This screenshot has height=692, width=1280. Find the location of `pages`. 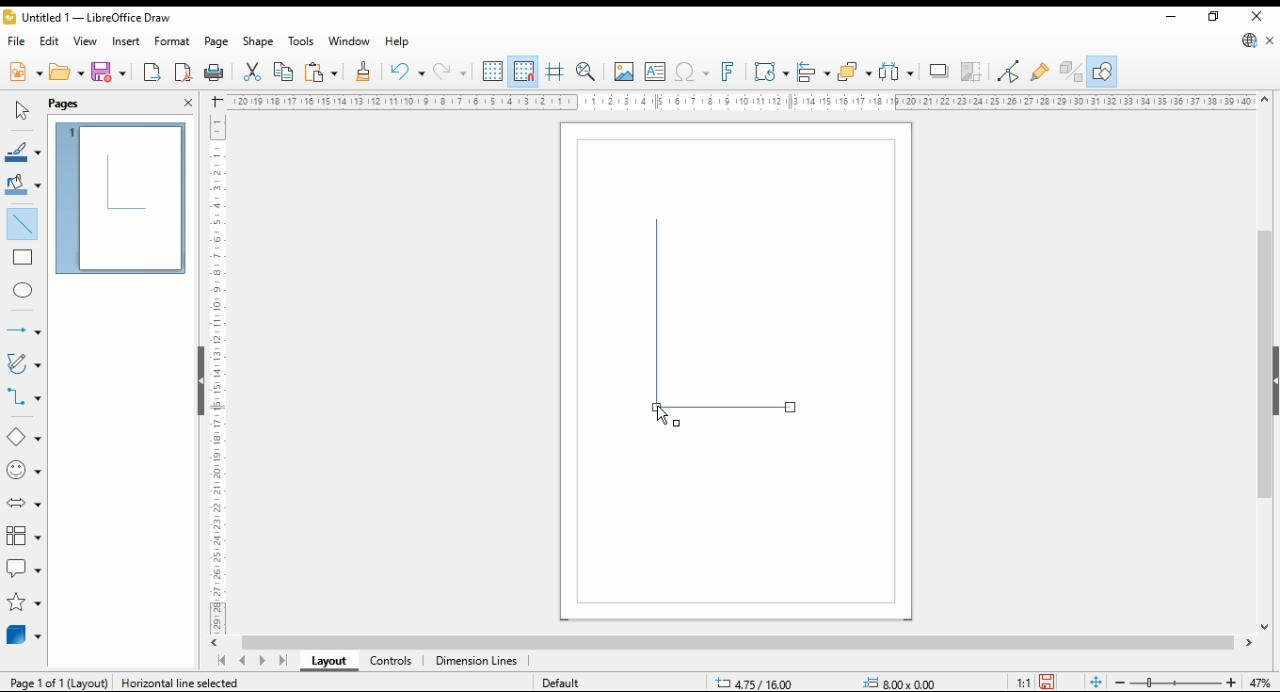

pages is located at coordinates (73, 103).